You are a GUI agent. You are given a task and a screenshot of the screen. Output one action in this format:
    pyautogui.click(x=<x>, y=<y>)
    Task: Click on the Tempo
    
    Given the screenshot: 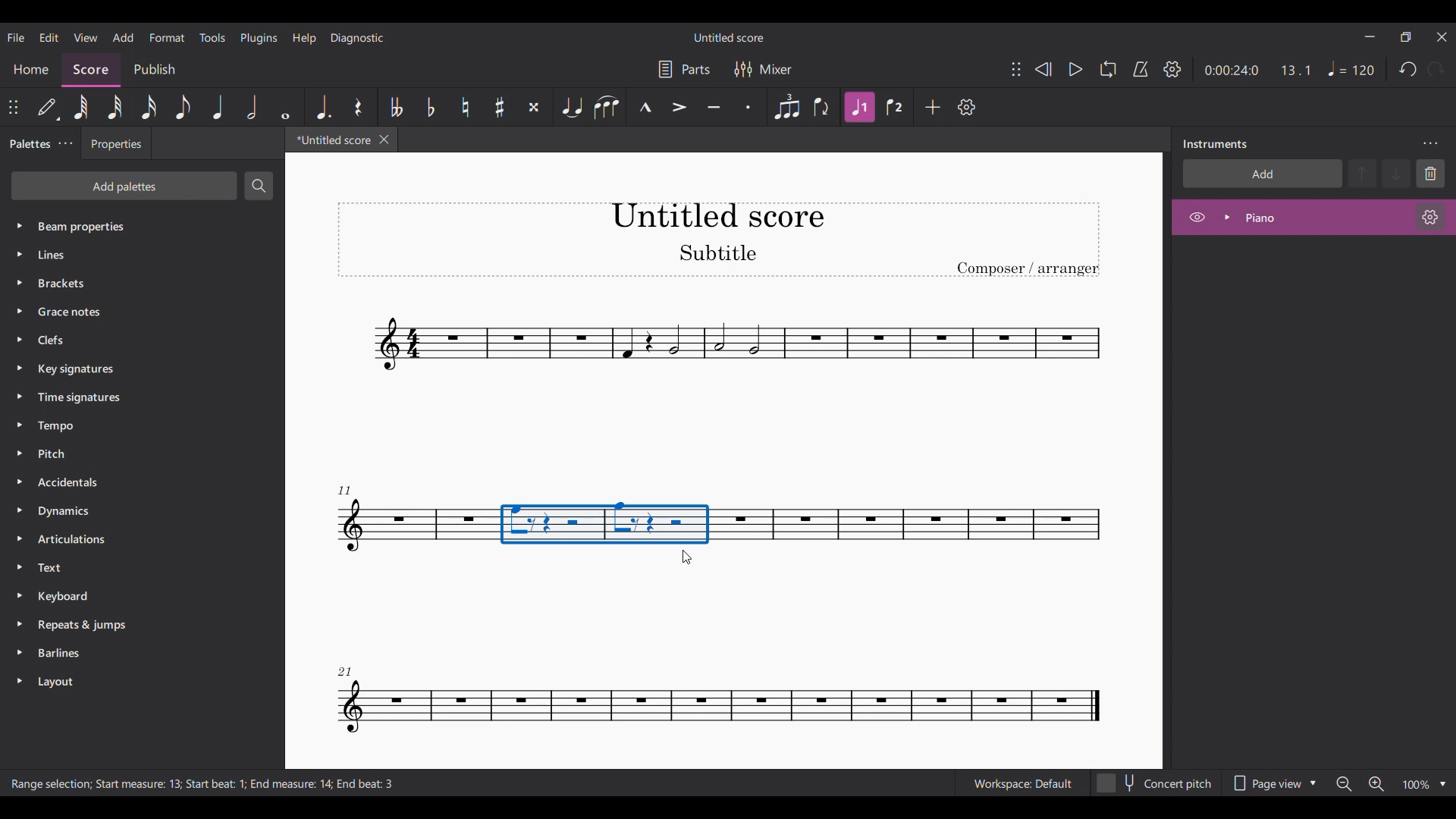 What is the action you would take?
    pyautogui.click(x=1351, y=68)
    